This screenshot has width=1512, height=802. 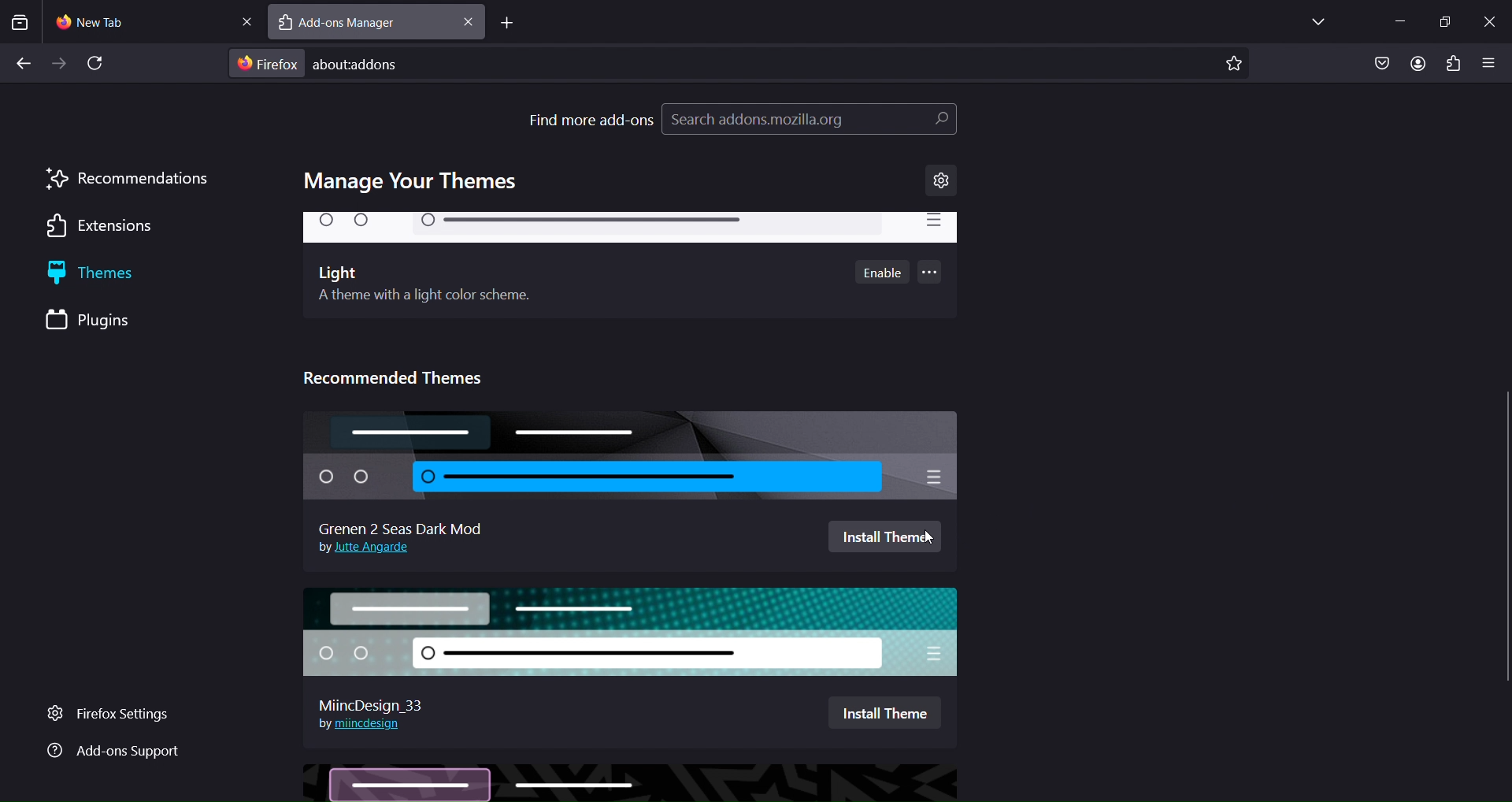 What do you see at coordinates (1451, 63) in the screenshot?
I see `extensions` at bounding box center [1451, 63].